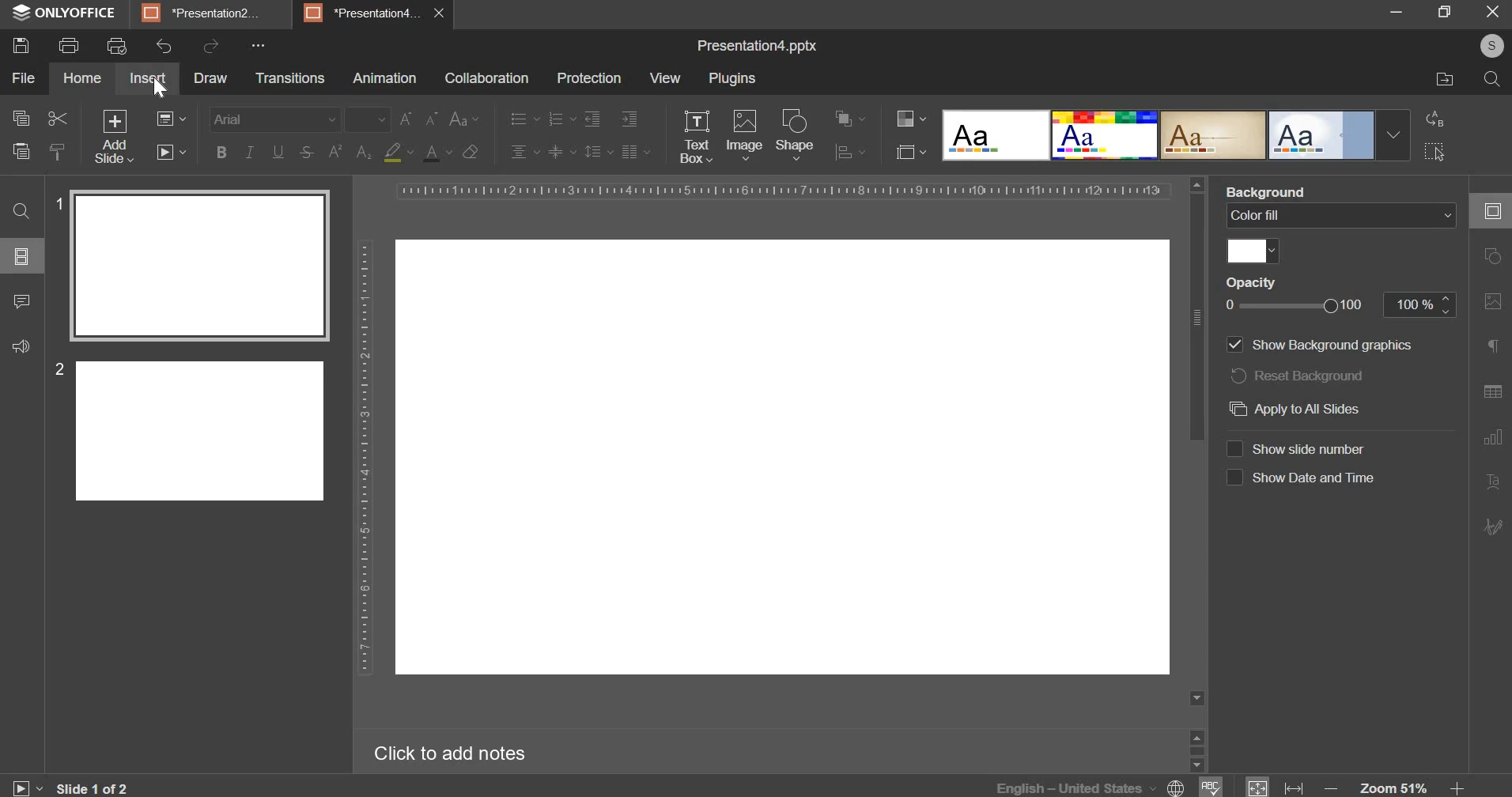 This screenshot has width=1512, height=797. I want to click on plugins, so click(732, 78).